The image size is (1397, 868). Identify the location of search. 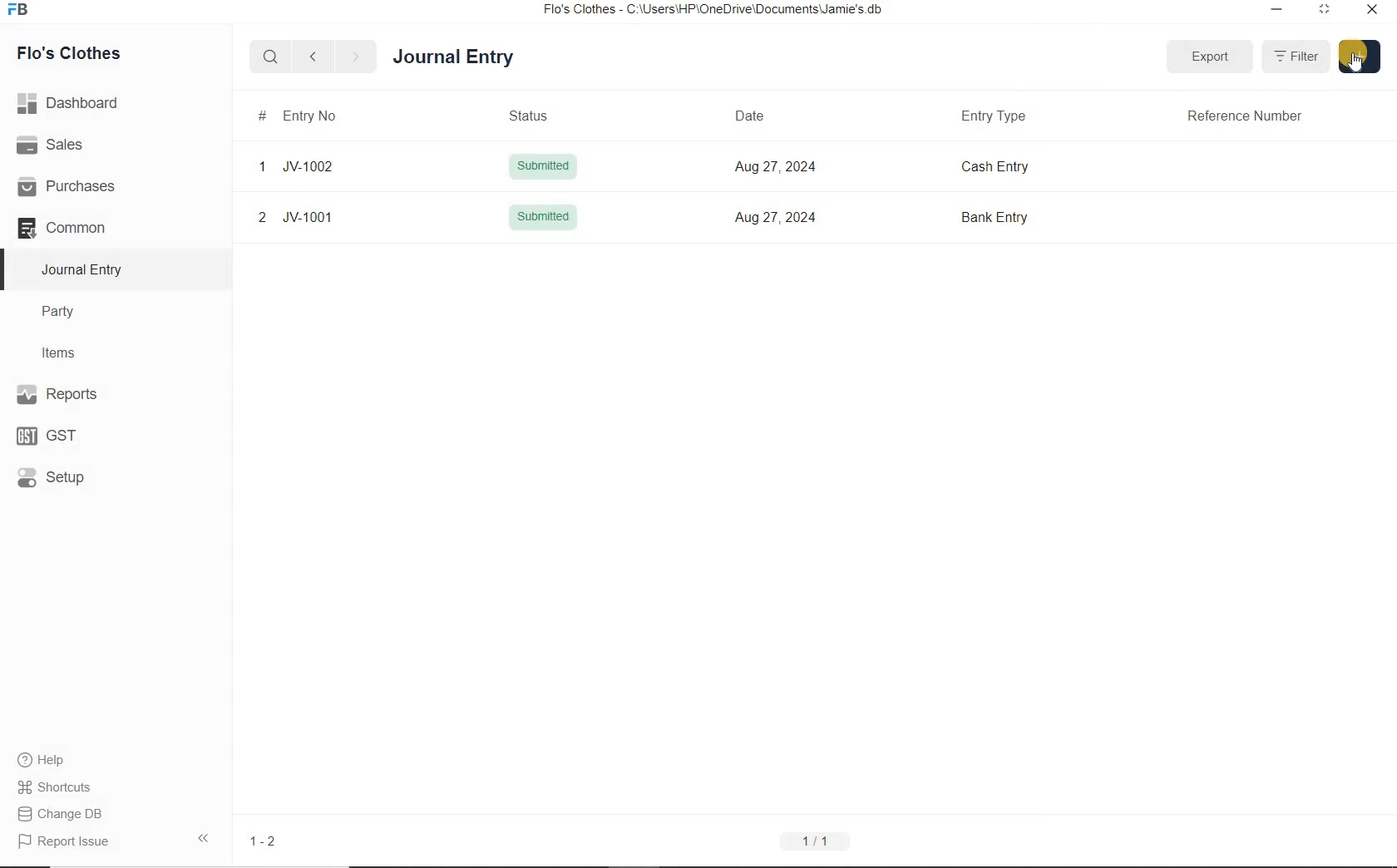
(271, 57).